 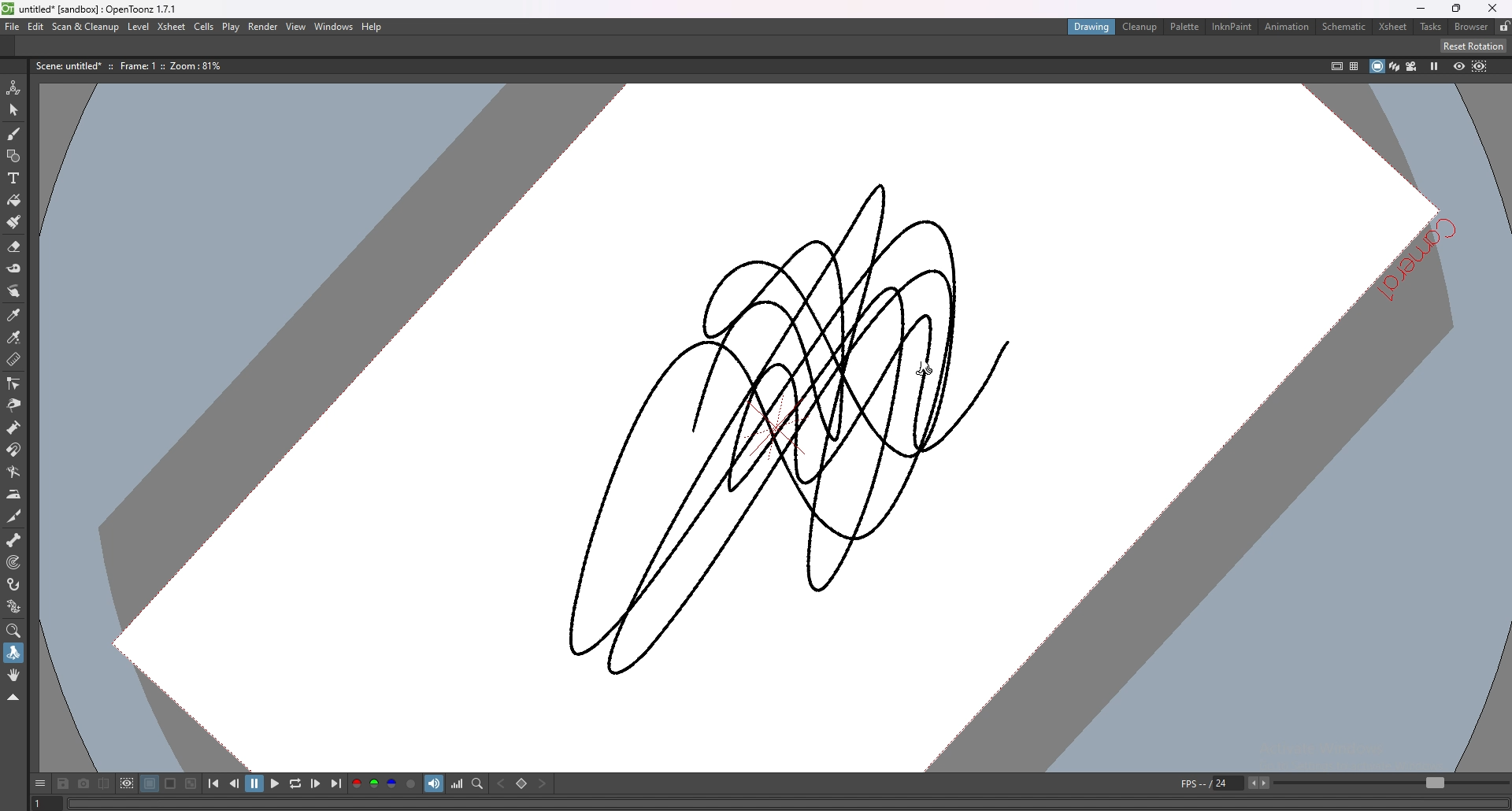 What do you see at coordinates (15, 246) in the screenshot?
I see `erase tool` at bounding box center [15, 246].